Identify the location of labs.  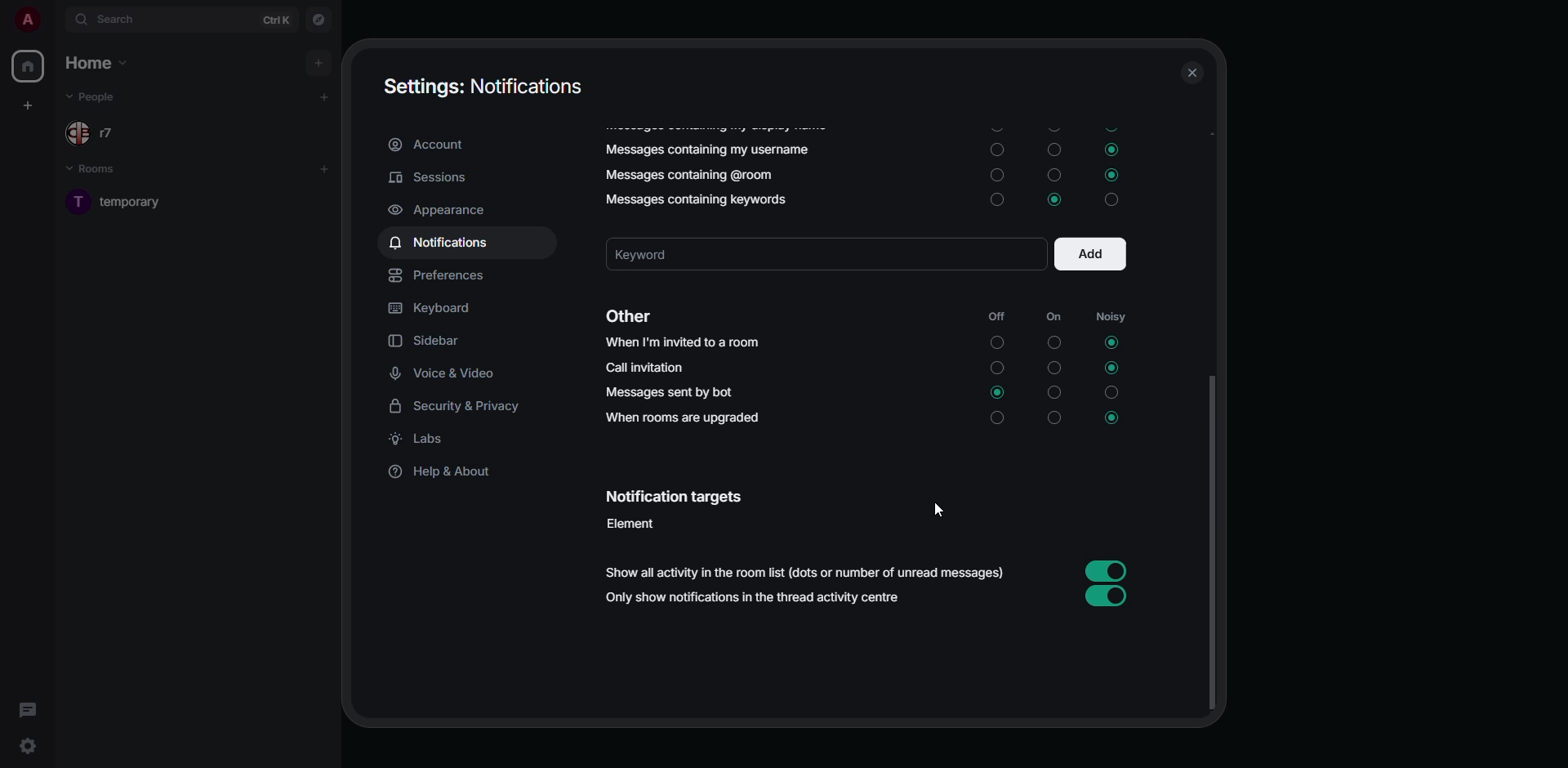
(419, 440).